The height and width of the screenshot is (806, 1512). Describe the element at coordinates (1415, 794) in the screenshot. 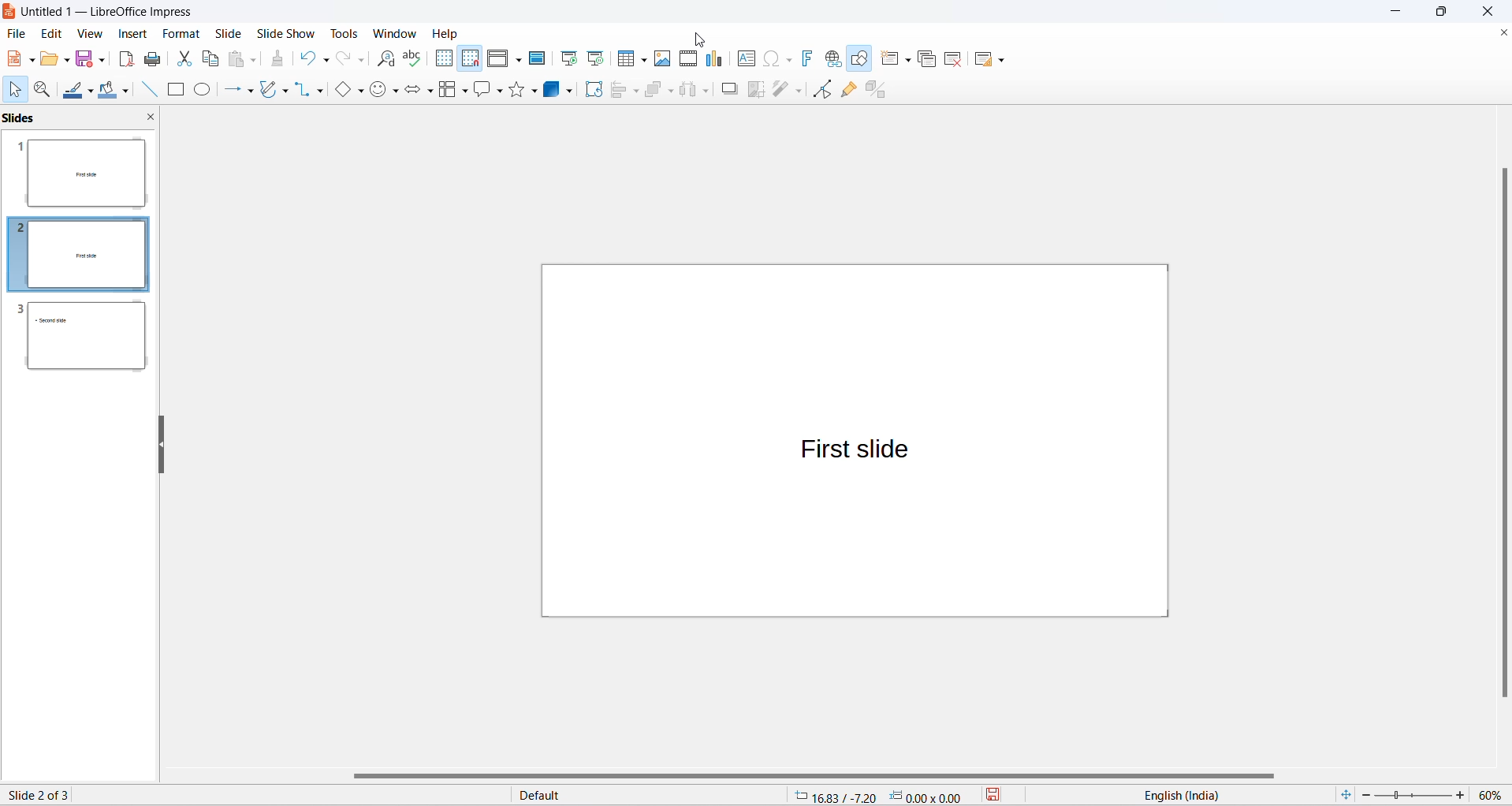

I see `zoom slider` at that location.